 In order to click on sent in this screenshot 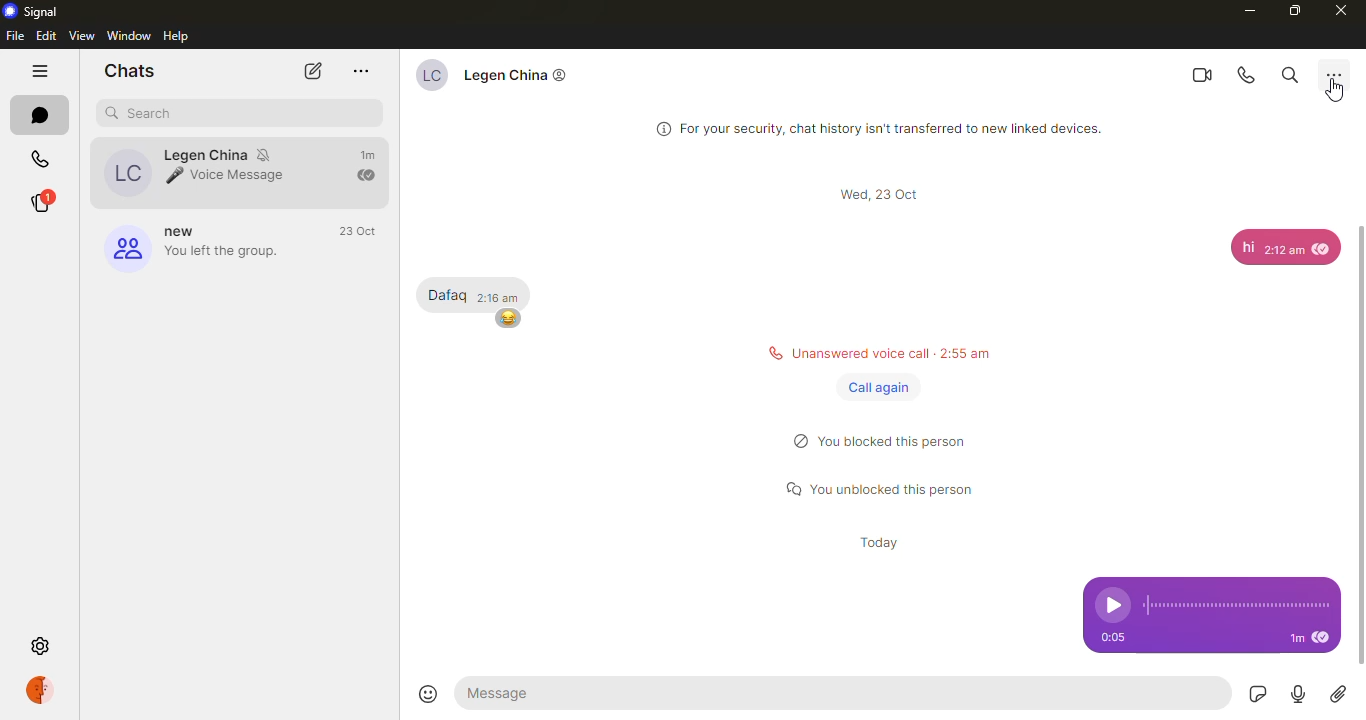, I will do `click(368, 176)`.